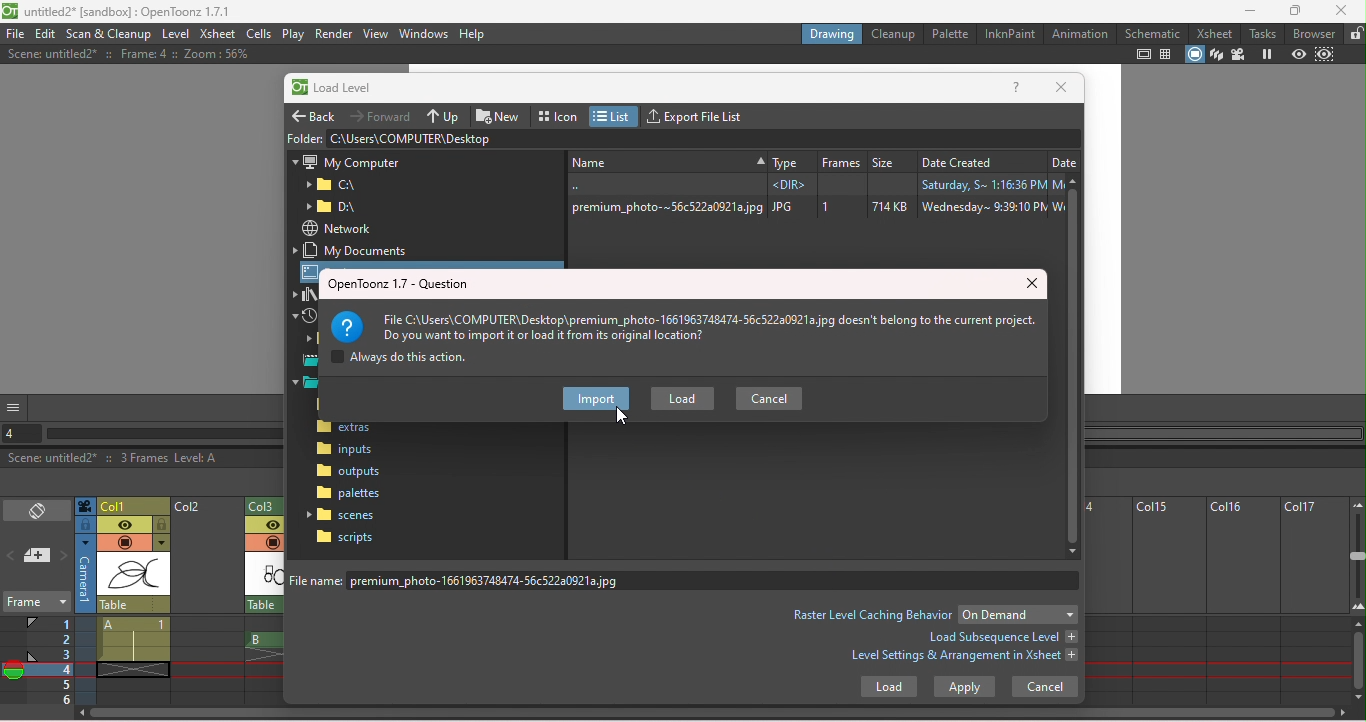  Describe the element at coordinates (1144, 54) in the screenshot. I see `Safe area` at that location.